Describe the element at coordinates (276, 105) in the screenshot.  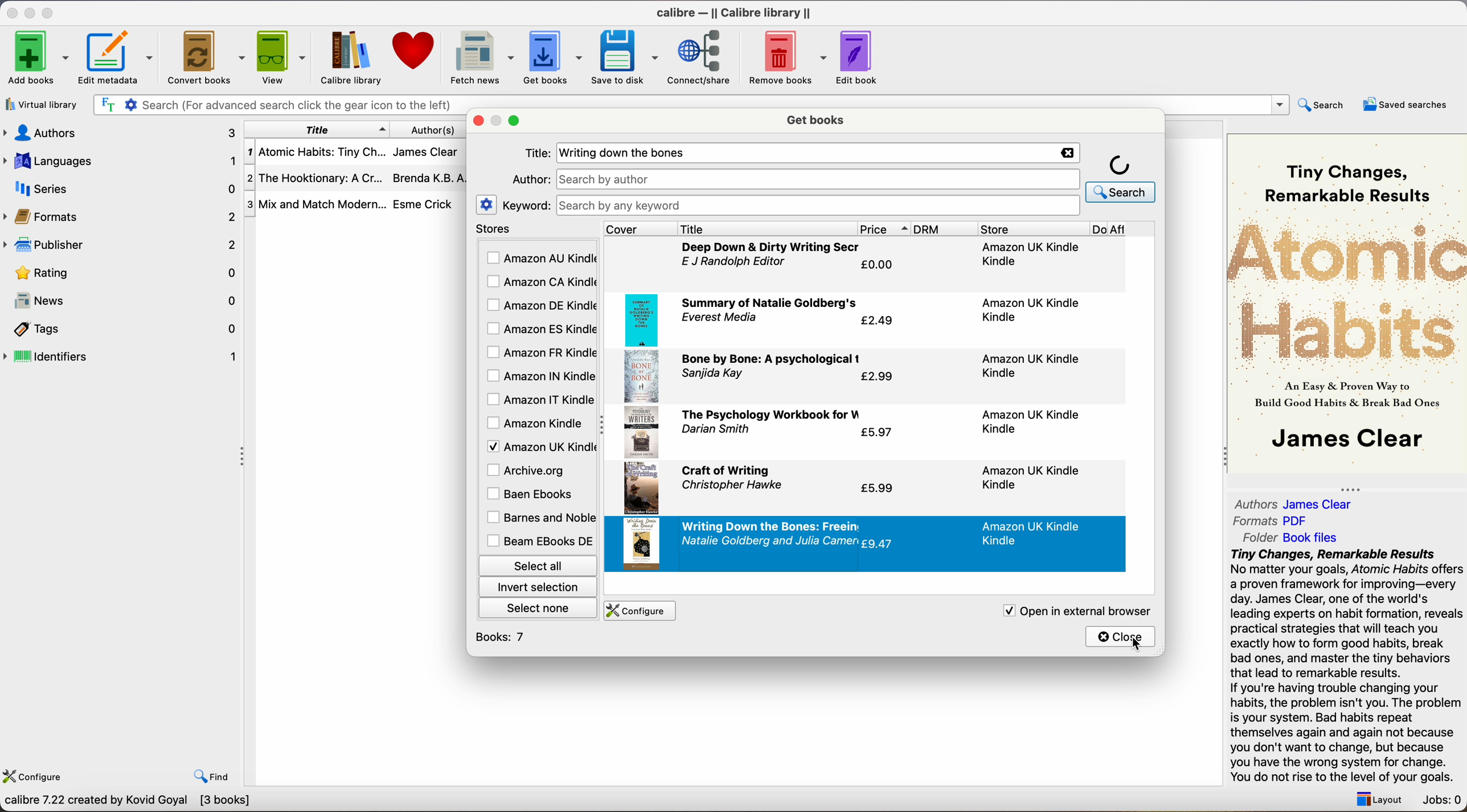
I see `search bar` at that location.